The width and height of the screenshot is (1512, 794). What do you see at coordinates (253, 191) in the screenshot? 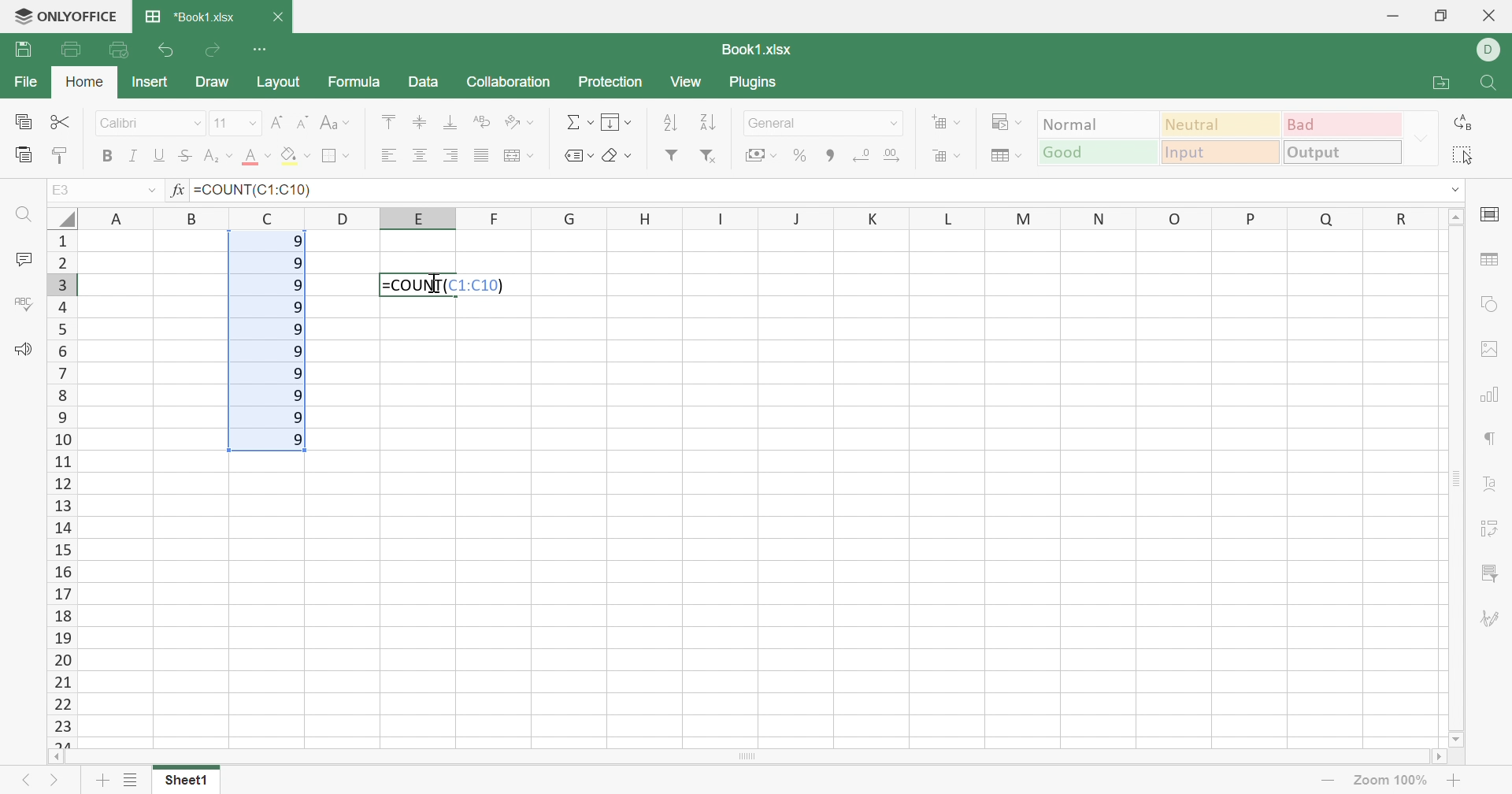
I see `=COUNT(C1:C10)` at bounding box center [253, 191].